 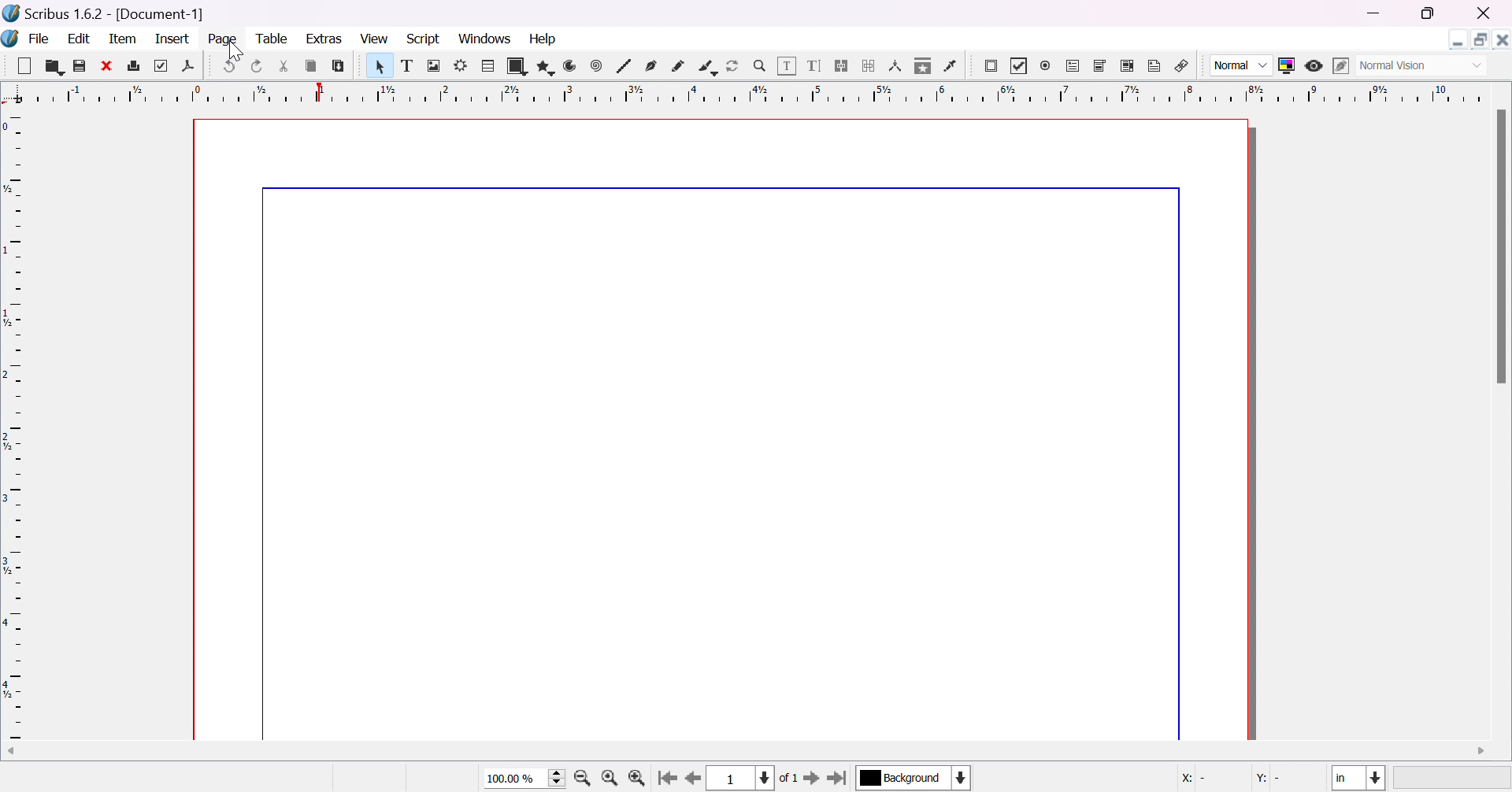 I want to click on ruler, so click(x=13, y=423).